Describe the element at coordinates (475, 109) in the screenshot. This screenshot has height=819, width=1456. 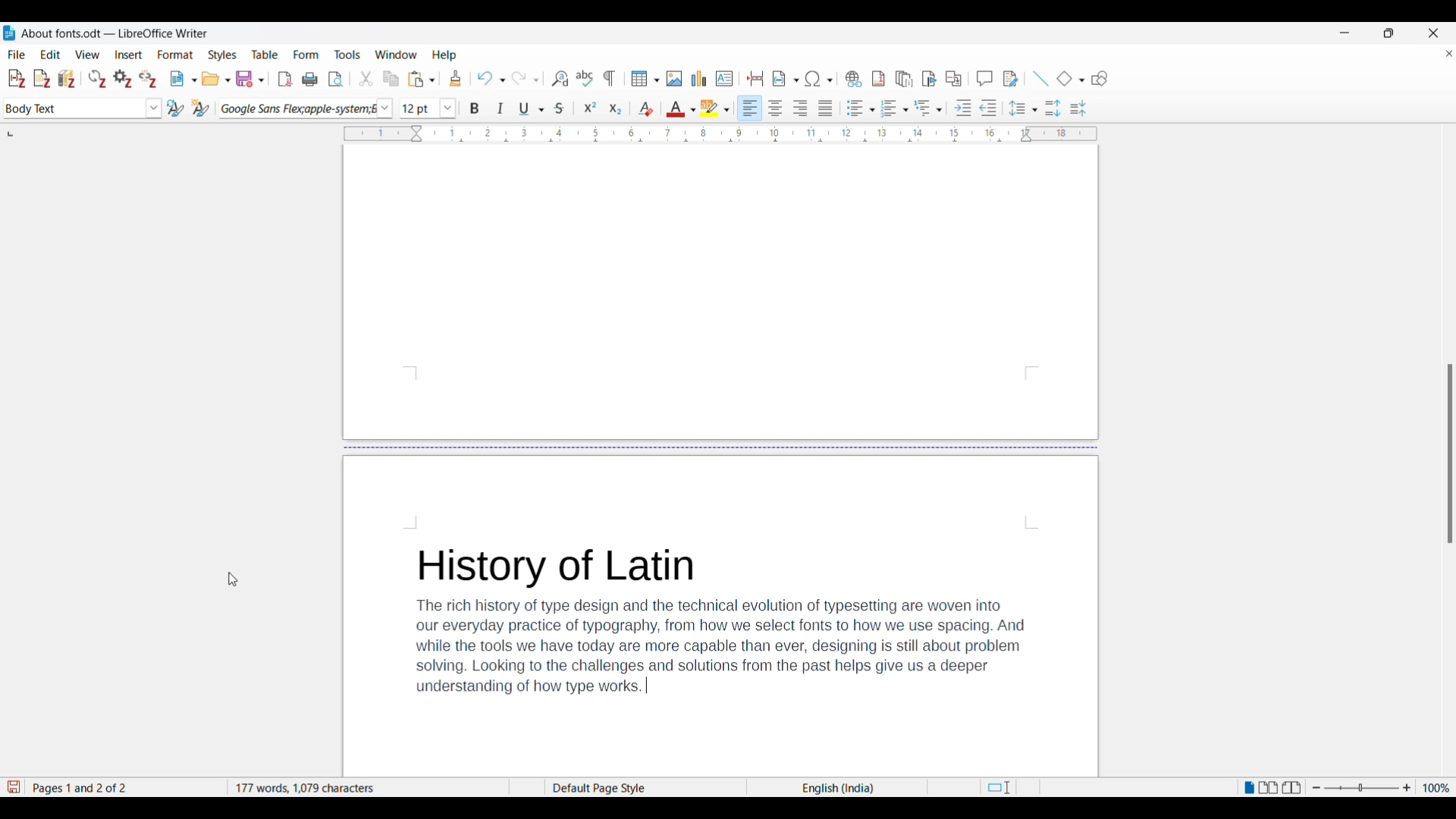
I see `Bold` at that location.